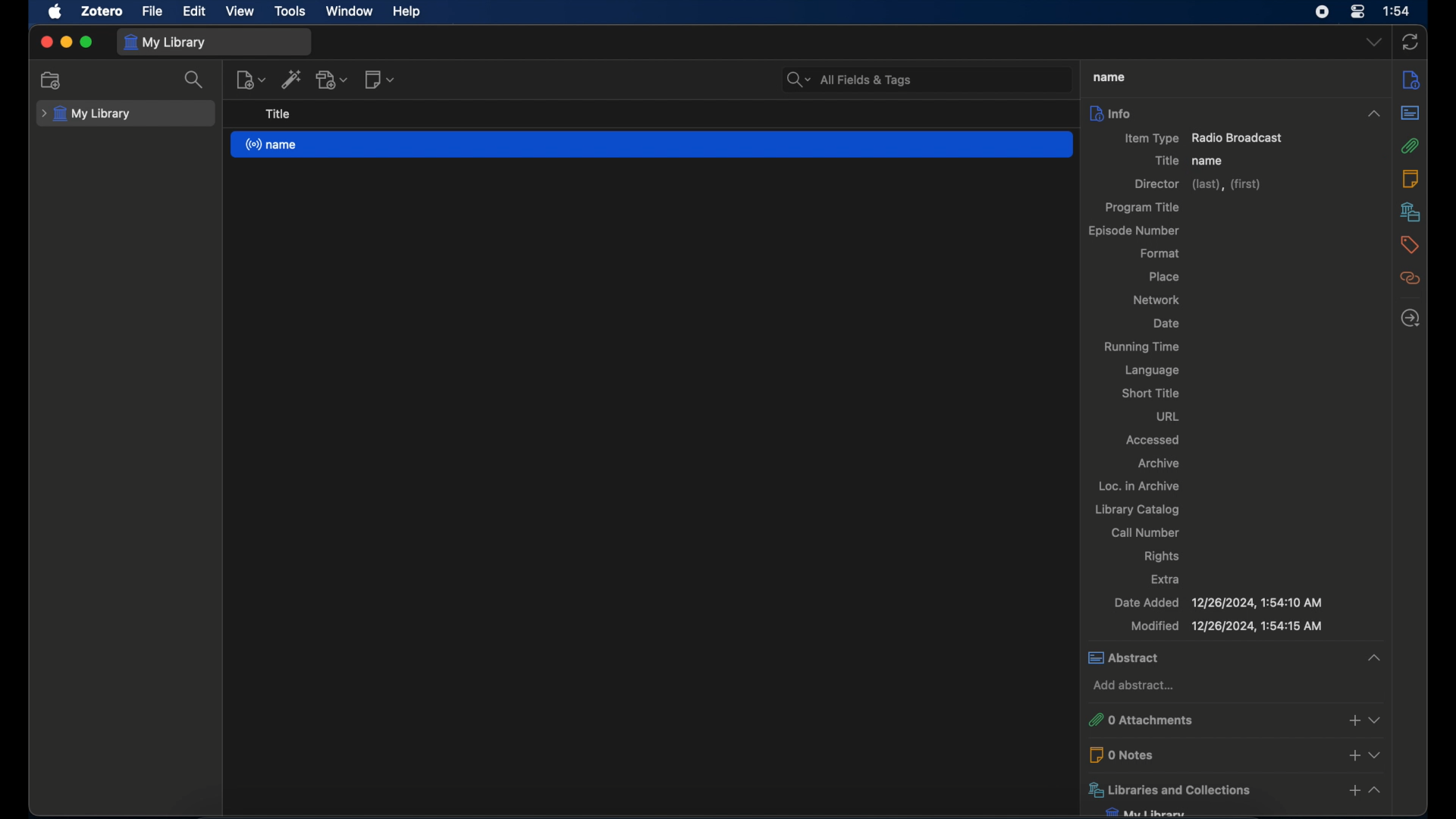  What do you see at coordinates (1412, 42) in the screenshot?
I see `sync` at bounding box center [1412, 42].